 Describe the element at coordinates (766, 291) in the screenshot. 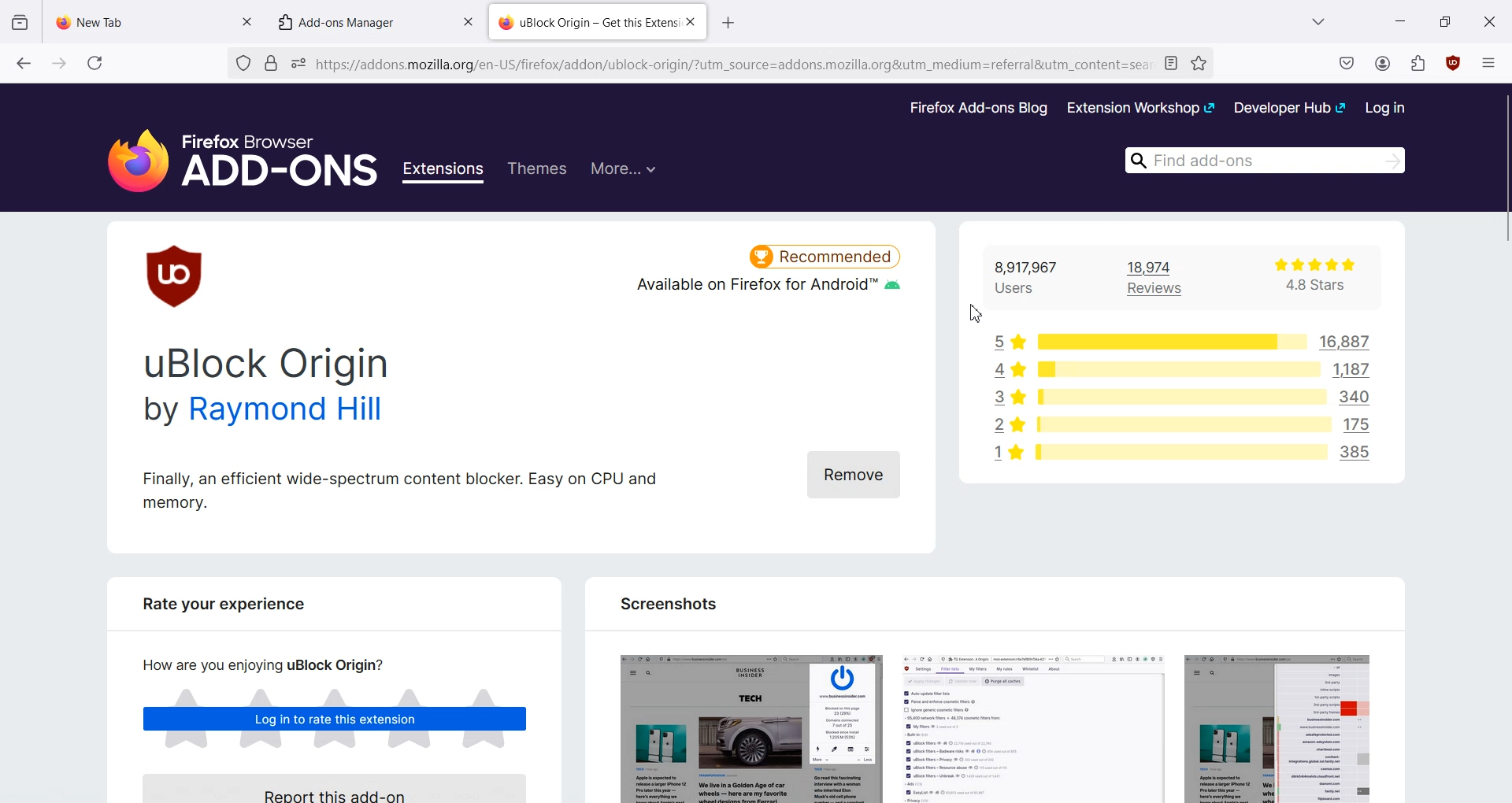

I see `Available on Firefox for Android™` at that location.